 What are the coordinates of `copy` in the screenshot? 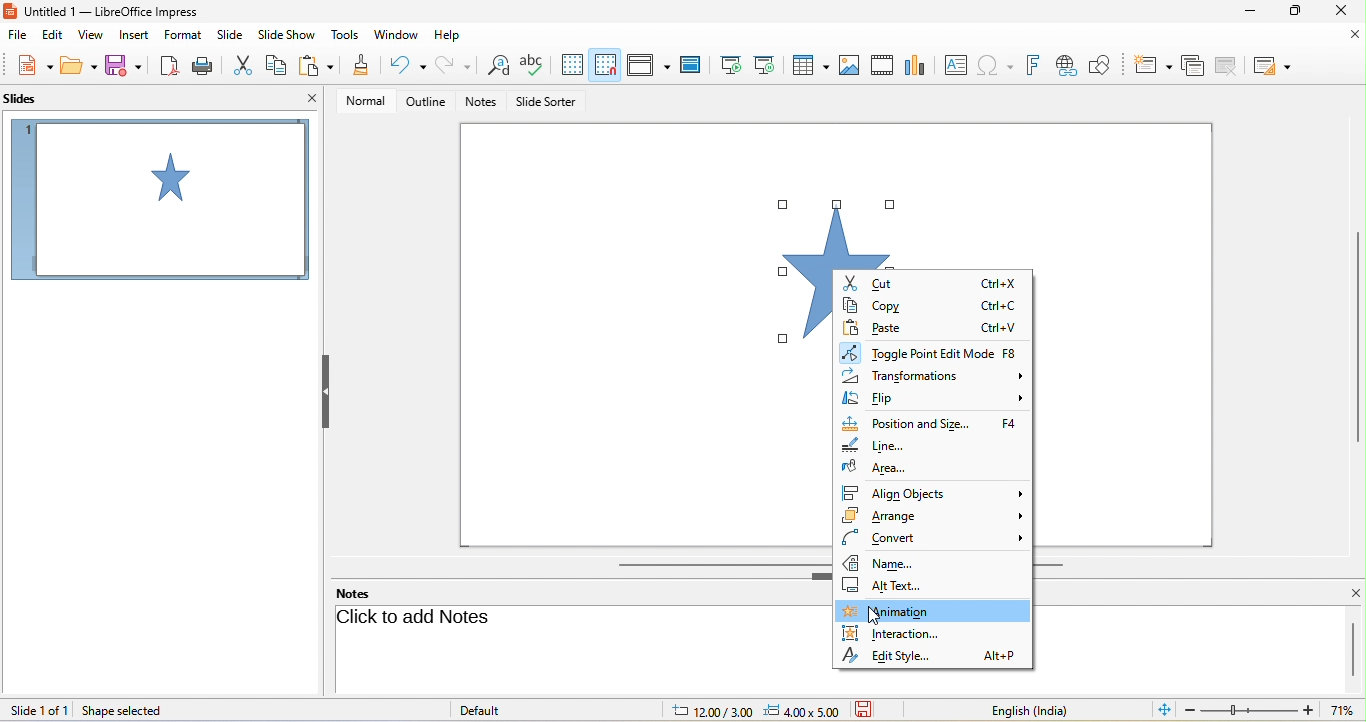 It's located at (932, 305).